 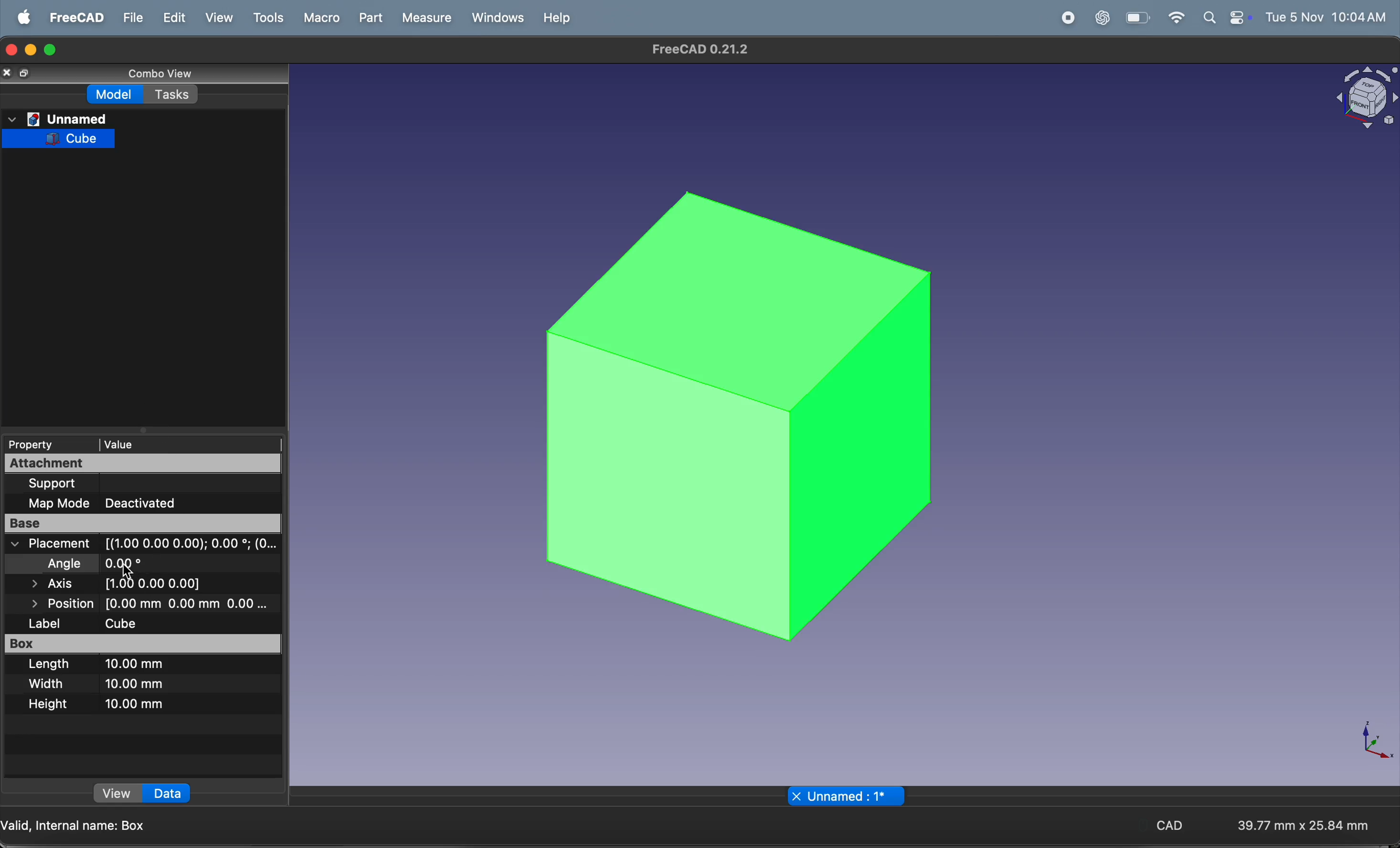 I want to click on support, so click(x=139, y=483).